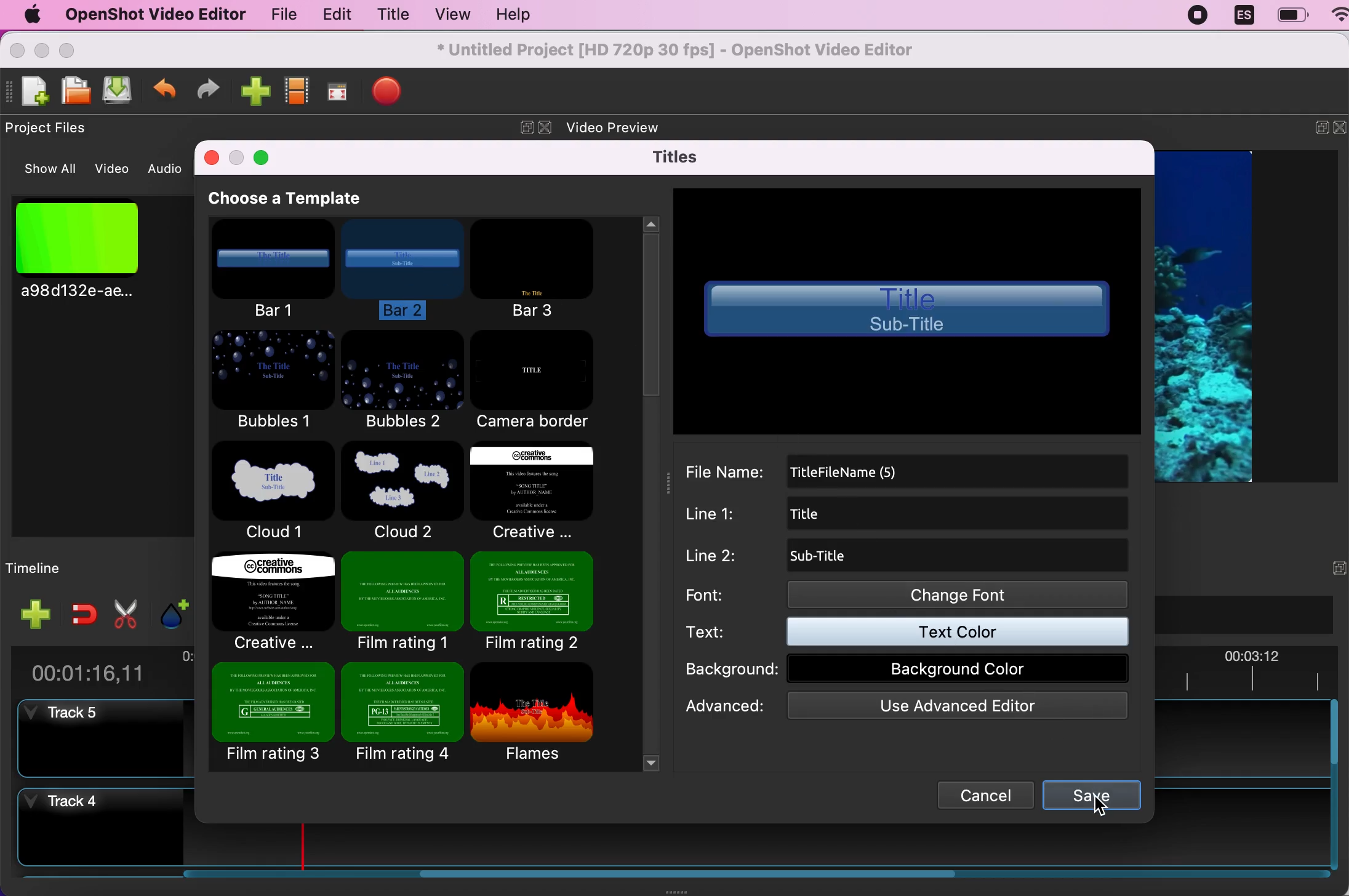 Image resolution: width=1349 pixels, height=896 pixels. What do you see at coordinates (911, 670) in the screenshot?
I see `background color` at bounding box center [911, 670].